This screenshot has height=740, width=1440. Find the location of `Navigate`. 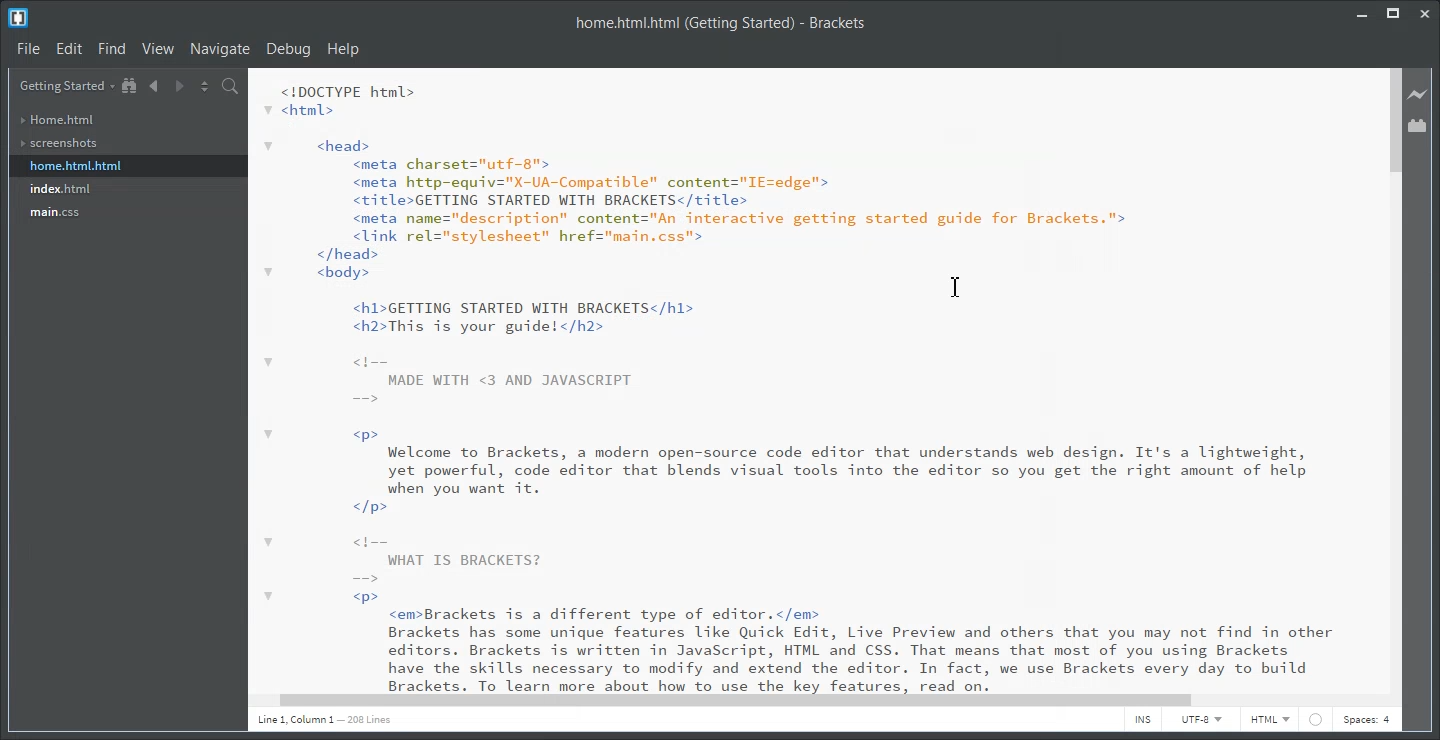

Navigate is located at coordinates (220, 48).